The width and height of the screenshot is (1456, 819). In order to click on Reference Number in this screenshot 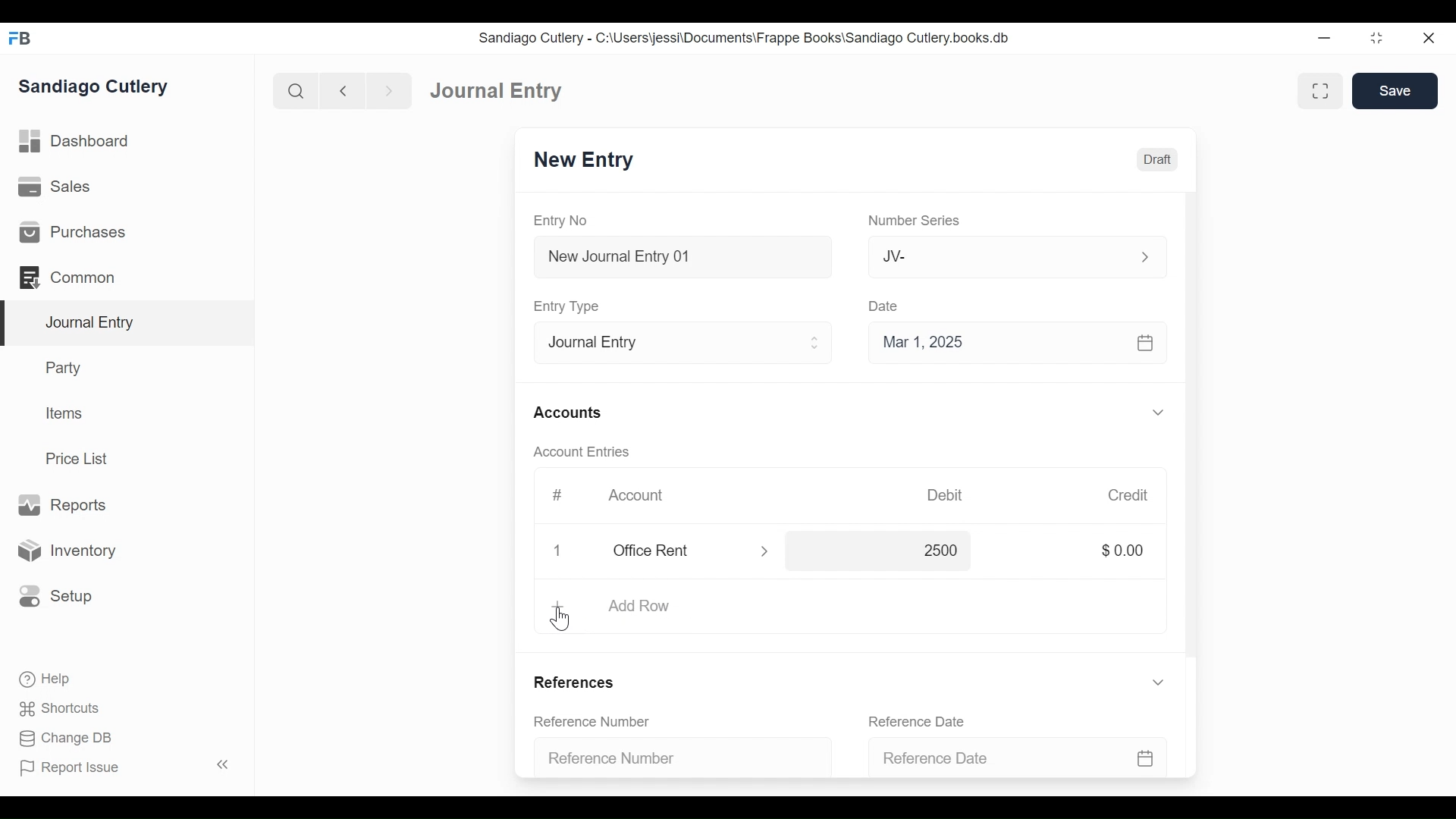, I will do `click(595, 720)`.